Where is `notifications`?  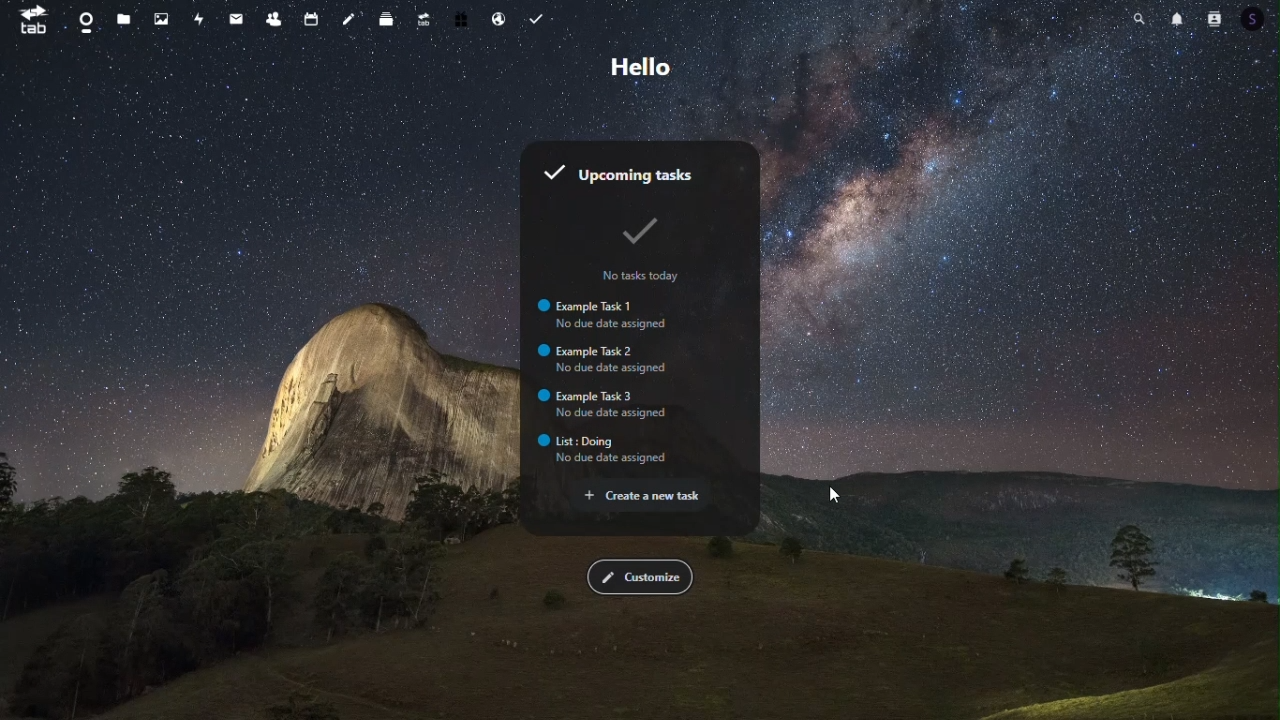 notifications is located at coordinates (1177, 18).